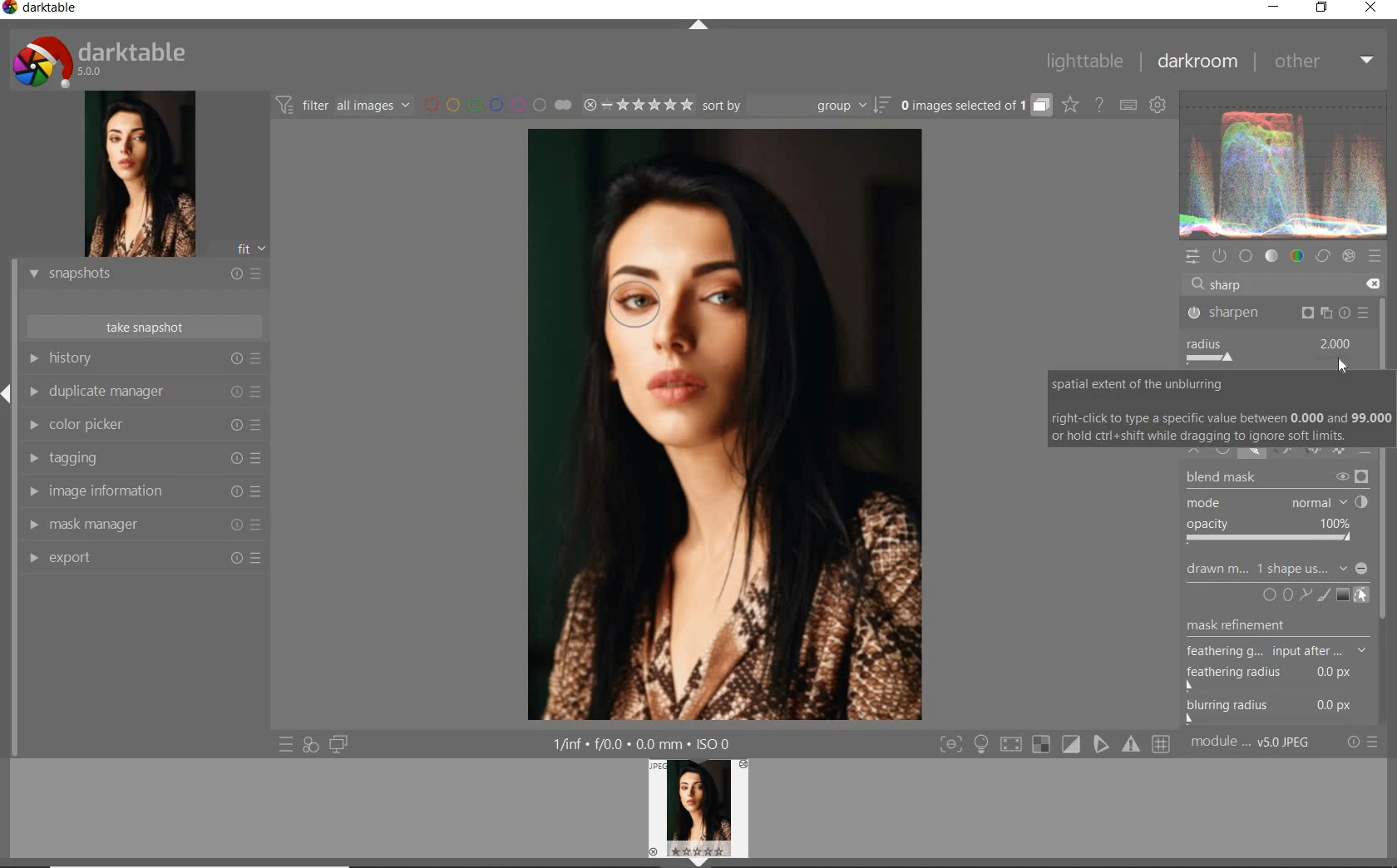  I want to click on export, so click(143, 560).